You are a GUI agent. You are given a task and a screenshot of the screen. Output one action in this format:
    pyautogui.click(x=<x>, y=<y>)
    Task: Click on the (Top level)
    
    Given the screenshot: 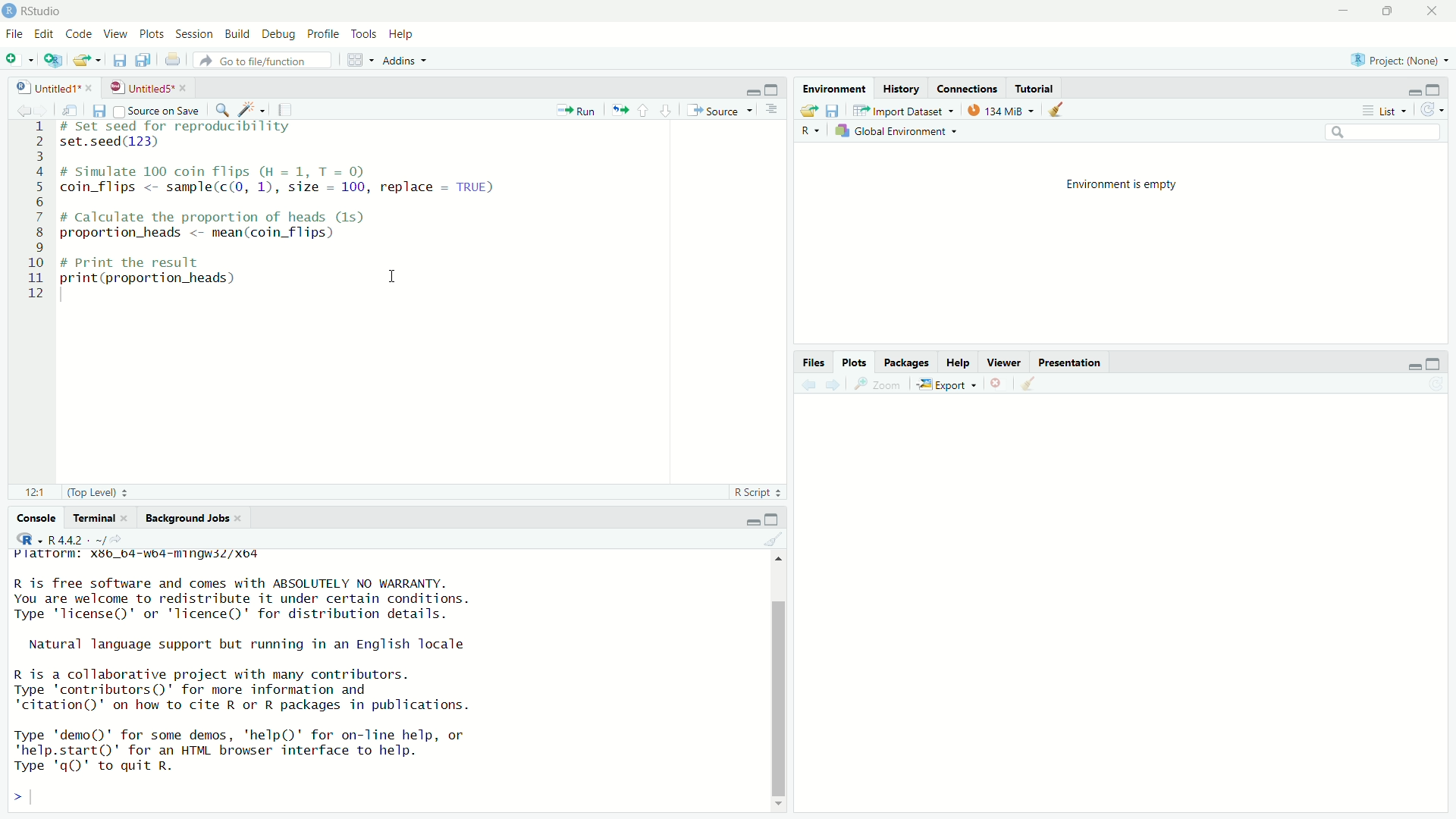 What is the action you would take?
    pyautogui.click(x=98, y=492)
    